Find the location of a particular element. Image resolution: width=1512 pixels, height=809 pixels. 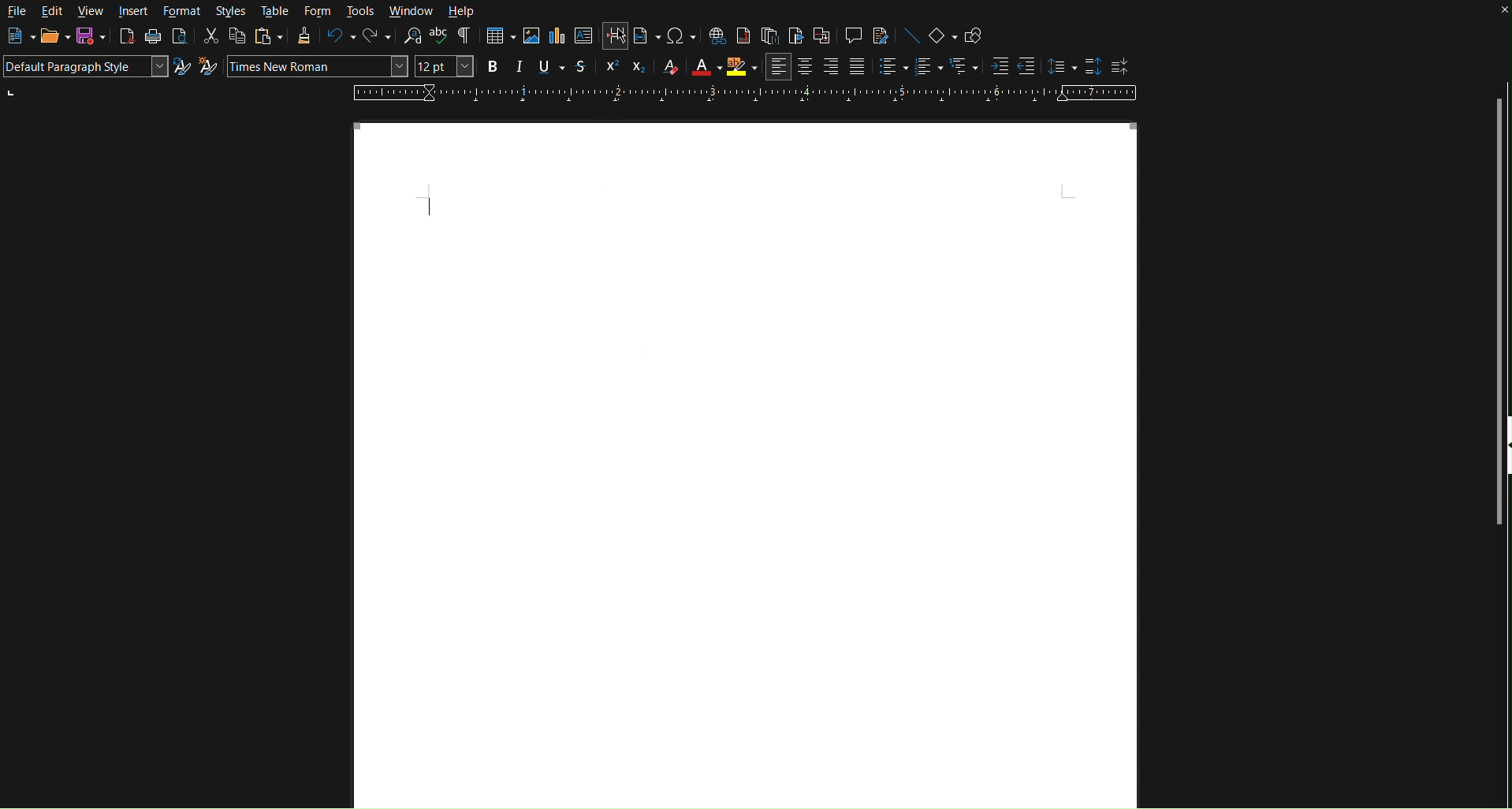

Insert textbox is located at coordinates (583, 38).